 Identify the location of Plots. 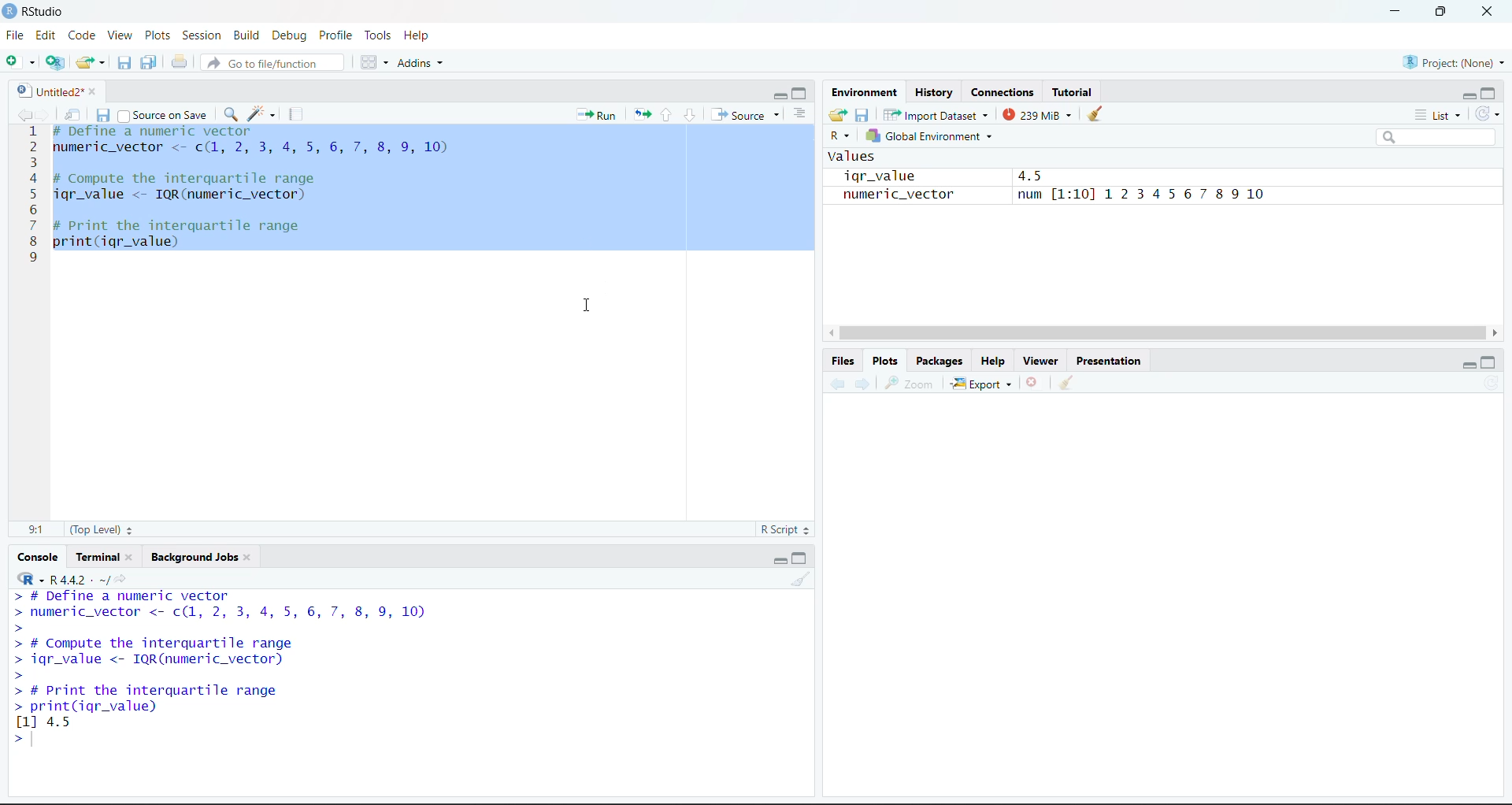
(158, 34).